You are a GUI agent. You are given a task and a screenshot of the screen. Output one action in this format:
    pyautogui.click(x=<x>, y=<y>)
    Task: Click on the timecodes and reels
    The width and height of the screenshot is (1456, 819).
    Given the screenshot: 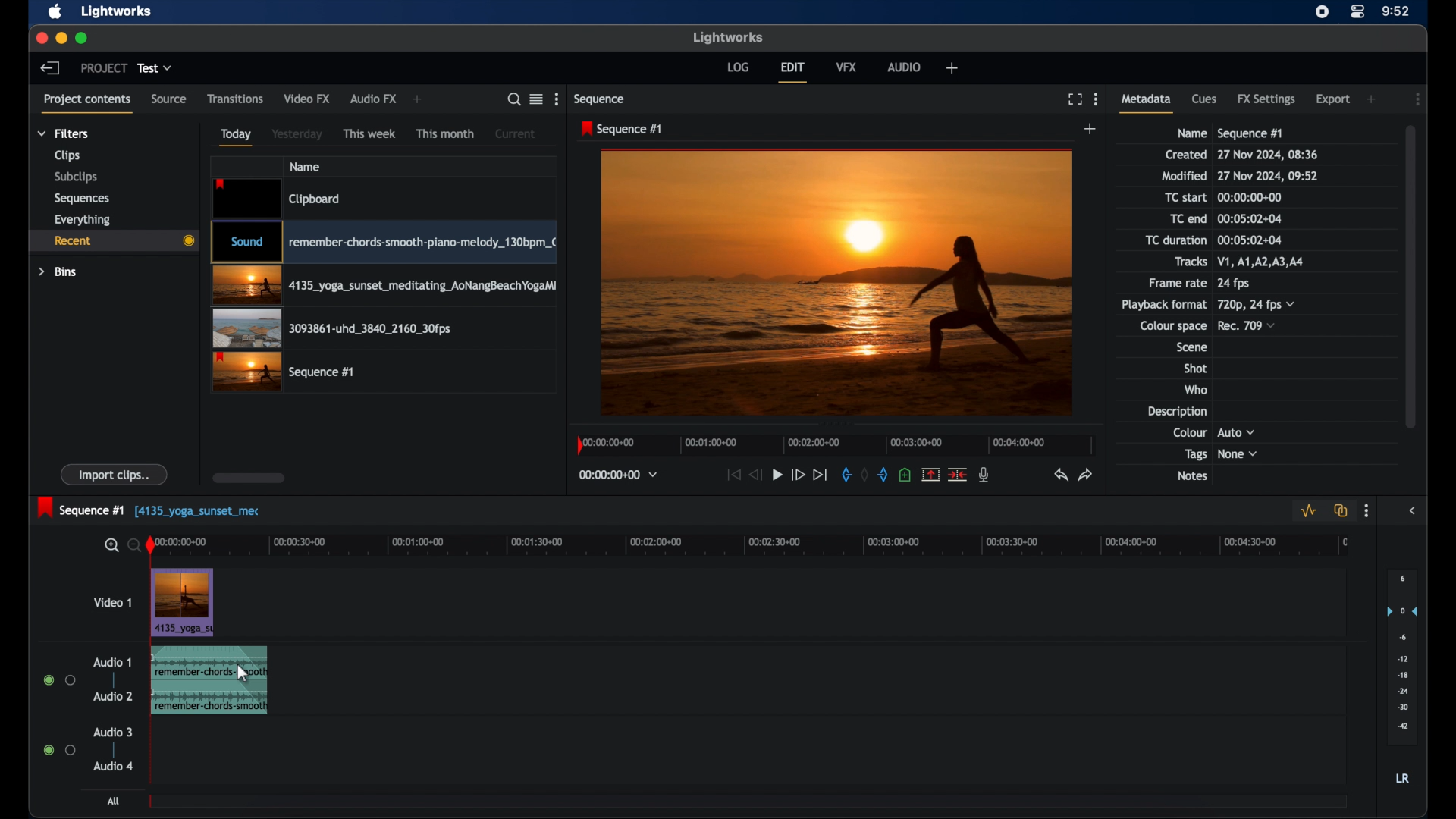 What is the action you would take?
    pyautogui.click(x=619, y=475)
    